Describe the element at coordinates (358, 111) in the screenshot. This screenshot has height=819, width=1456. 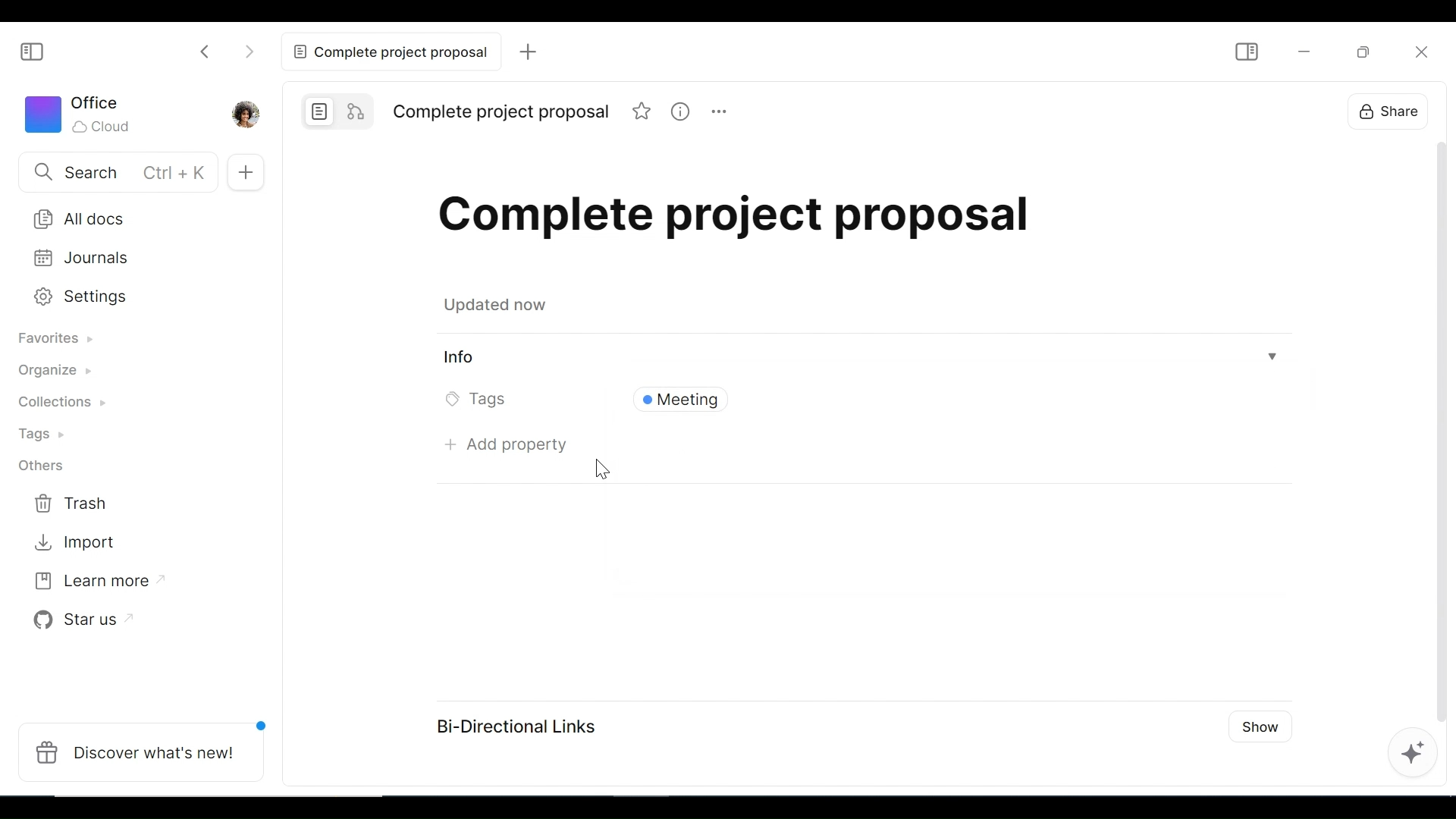
I see `Edgeless mode` at that location.